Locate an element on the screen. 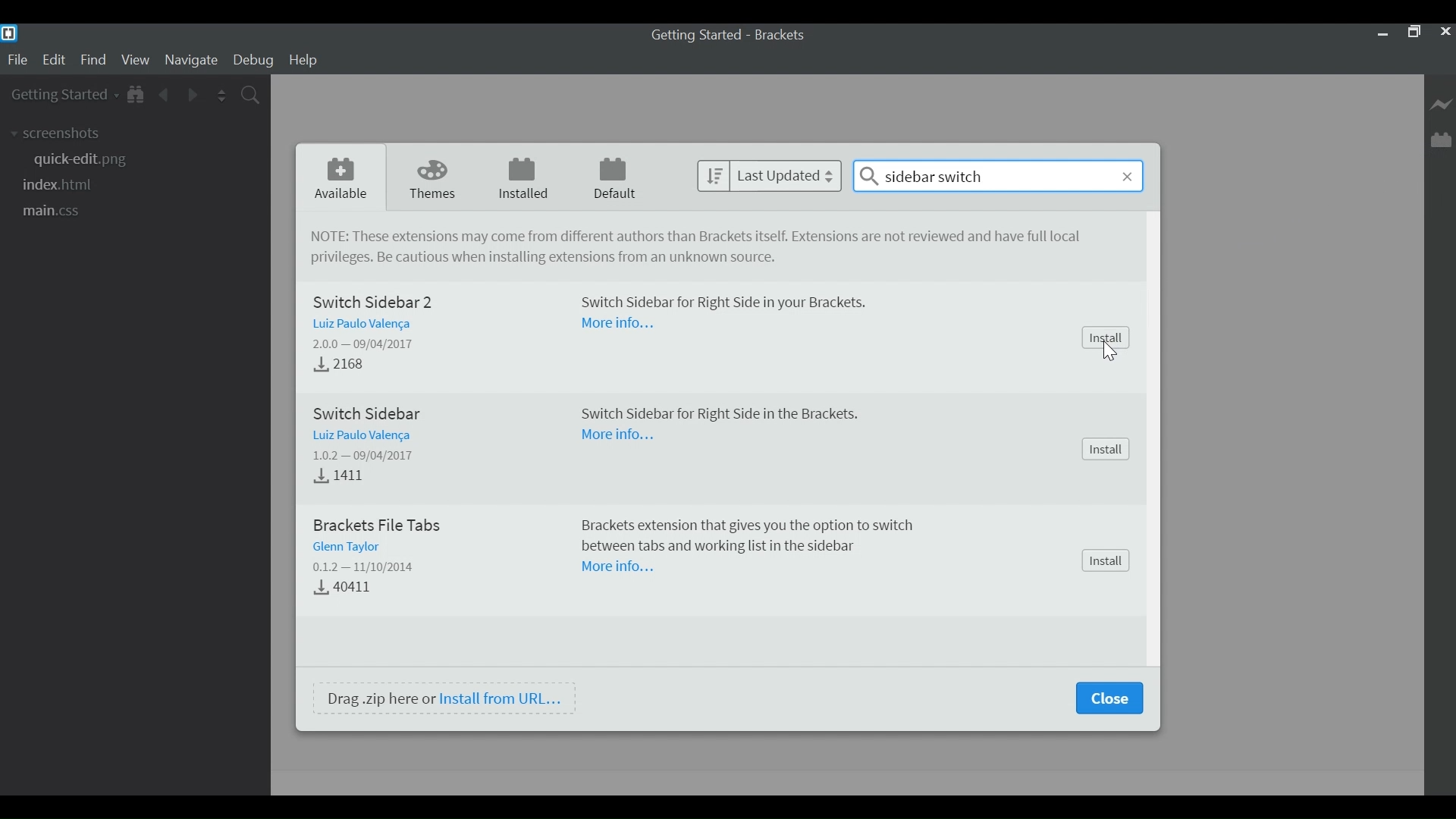 This screenshot has width=1456, height=819. Navigate Forward is located at coordinates (193, 94).